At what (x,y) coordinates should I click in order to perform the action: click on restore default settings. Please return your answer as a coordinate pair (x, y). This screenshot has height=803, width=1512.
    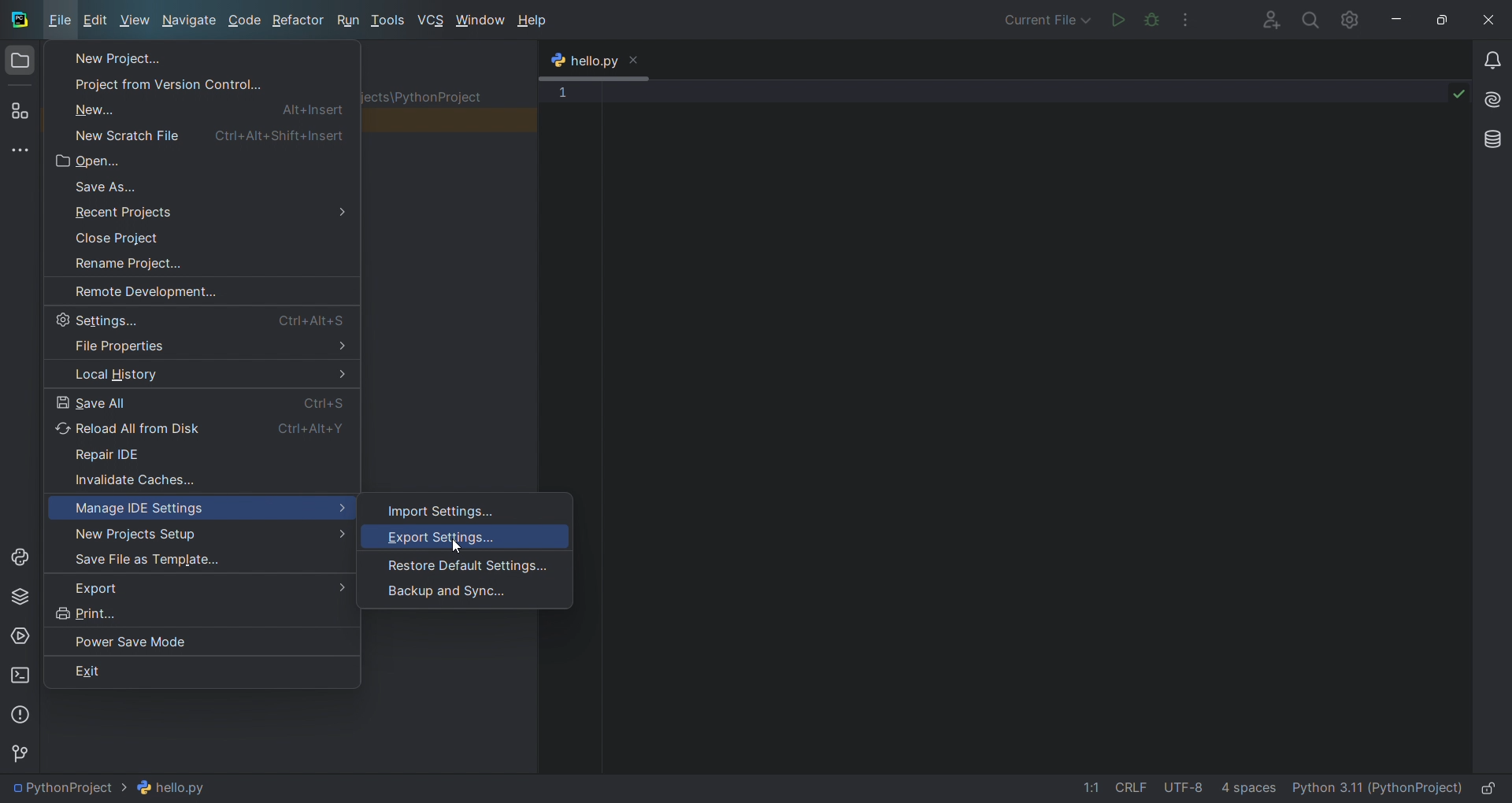
    Looking at the image, I should click on (451, 564).